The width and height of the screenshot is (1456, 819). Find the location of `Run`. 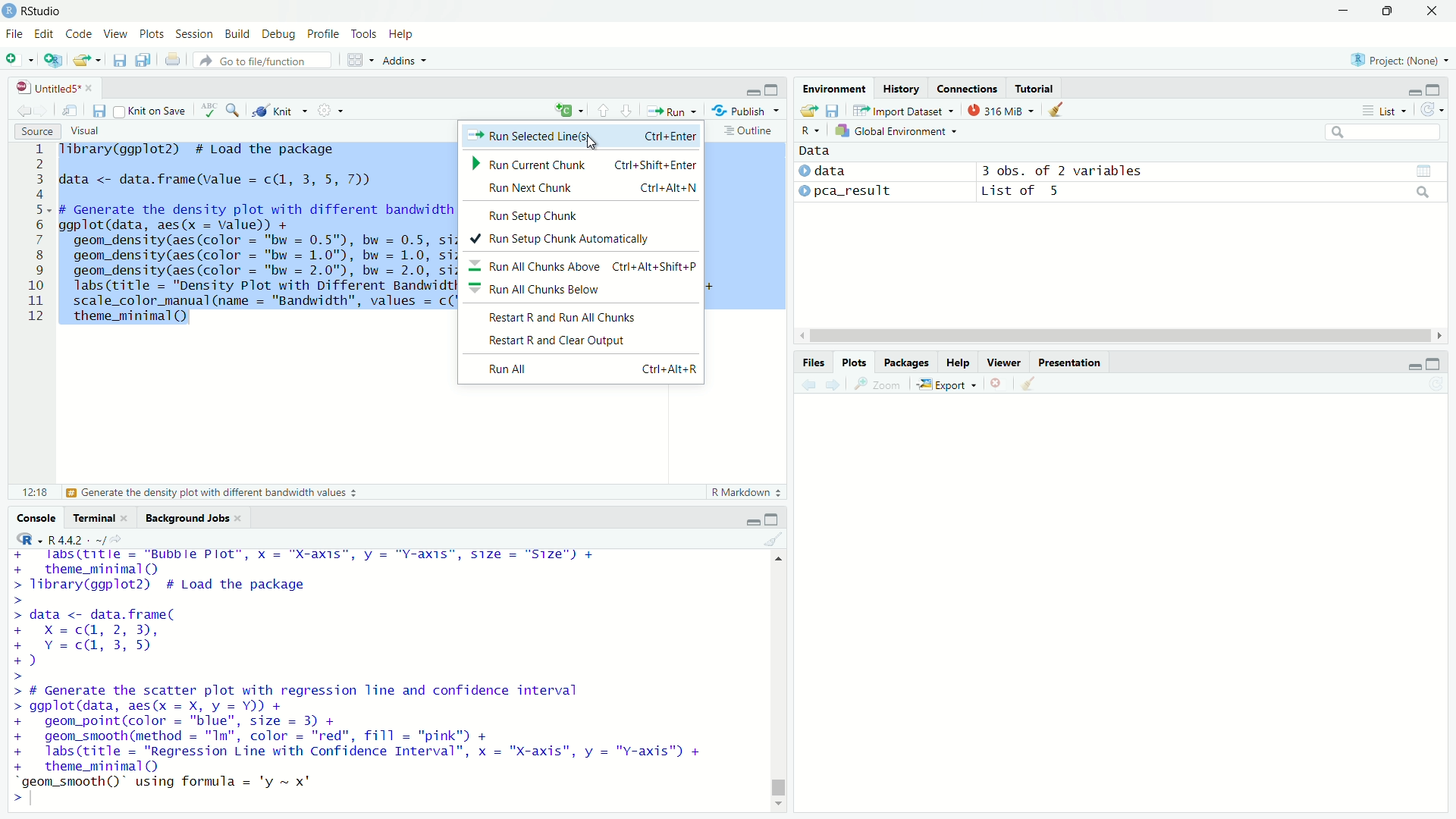

Run is located at coordinates (671, 110).